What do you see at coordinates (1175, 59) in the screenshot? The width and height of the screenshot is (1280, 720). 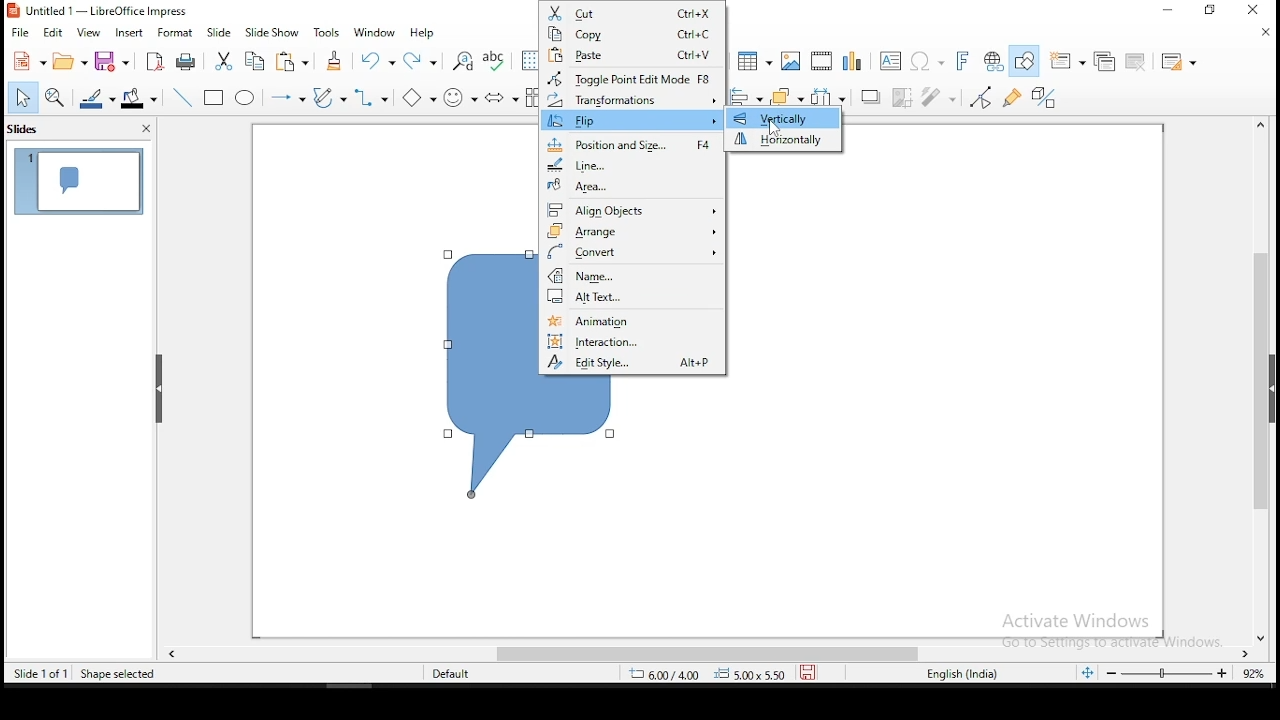 I see `slide layout` at bounding box center [1175, 59].